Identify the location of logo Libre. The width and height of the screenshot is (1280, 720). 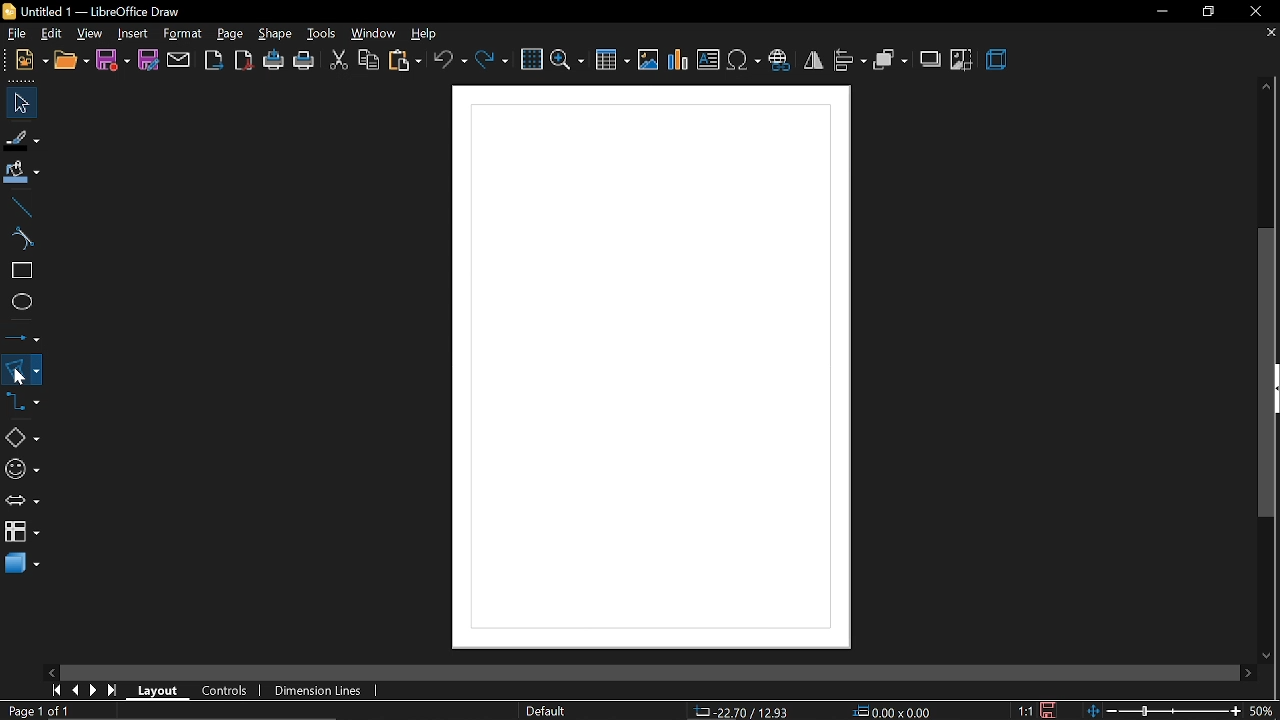
(11, 12).